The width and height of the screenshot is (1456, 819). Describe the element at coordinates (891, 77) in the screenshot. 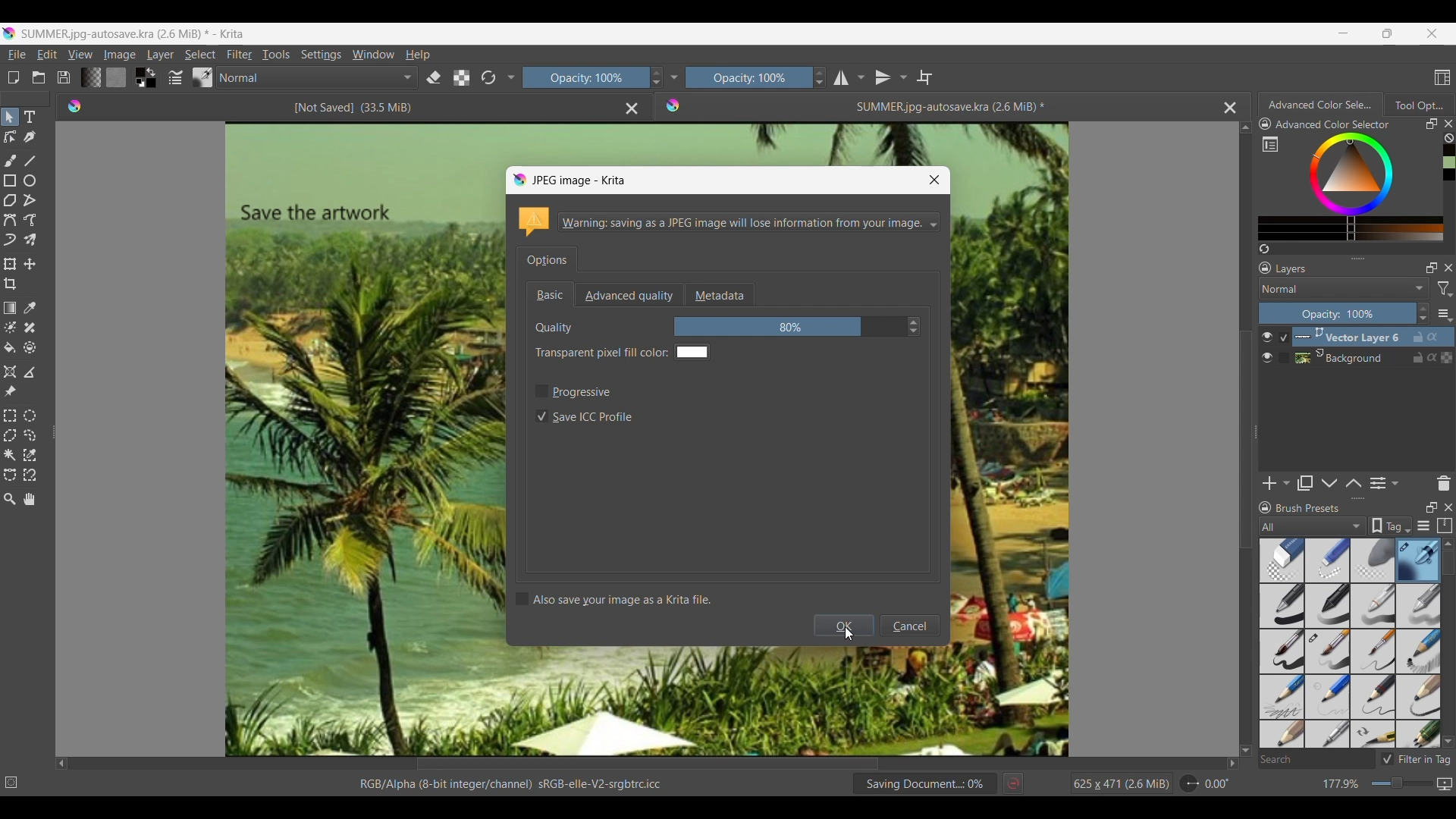

I see `Vertical mirror tool and options` at that location.